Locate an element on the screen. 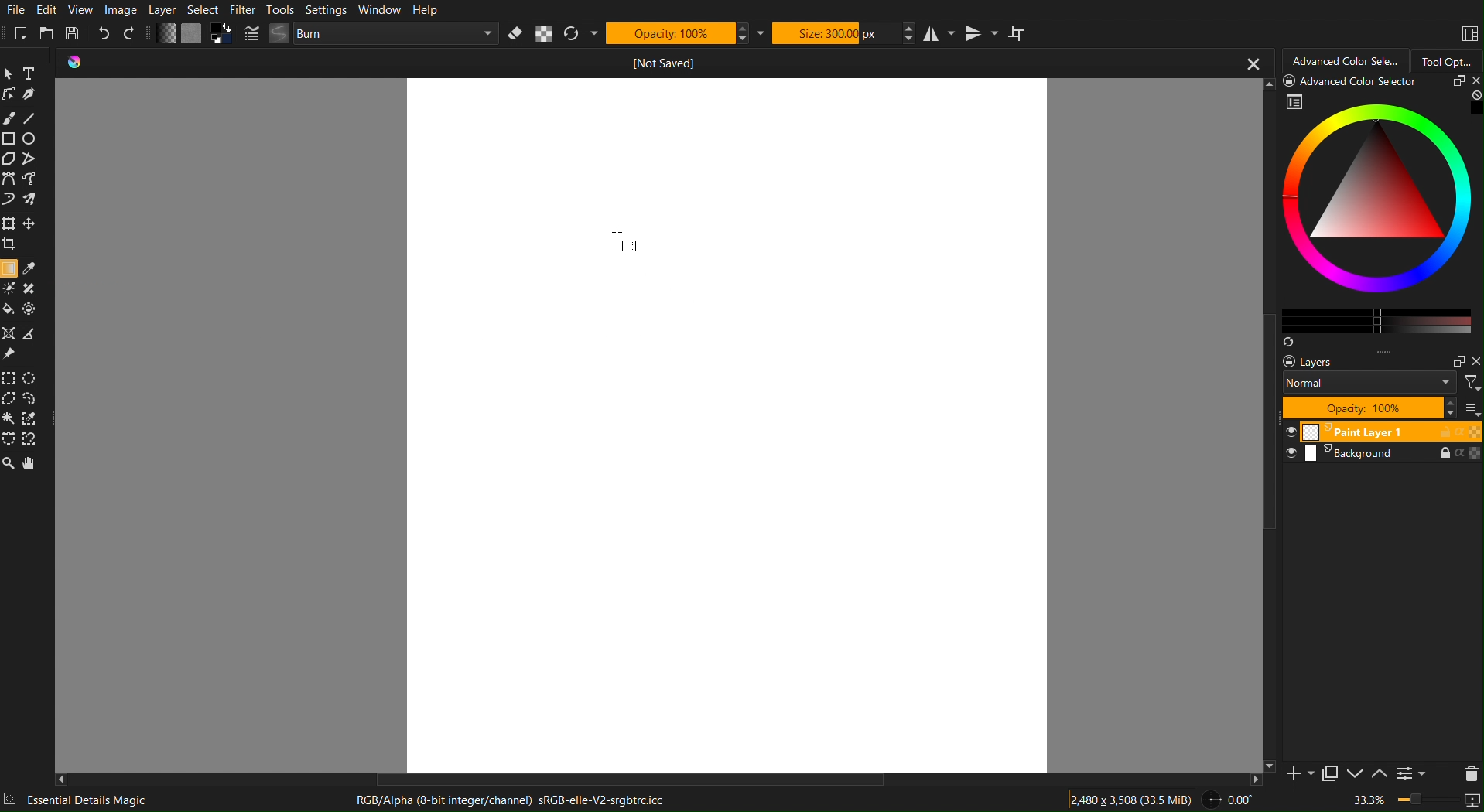  Layer Settings is located at coordinates (1381, 387).